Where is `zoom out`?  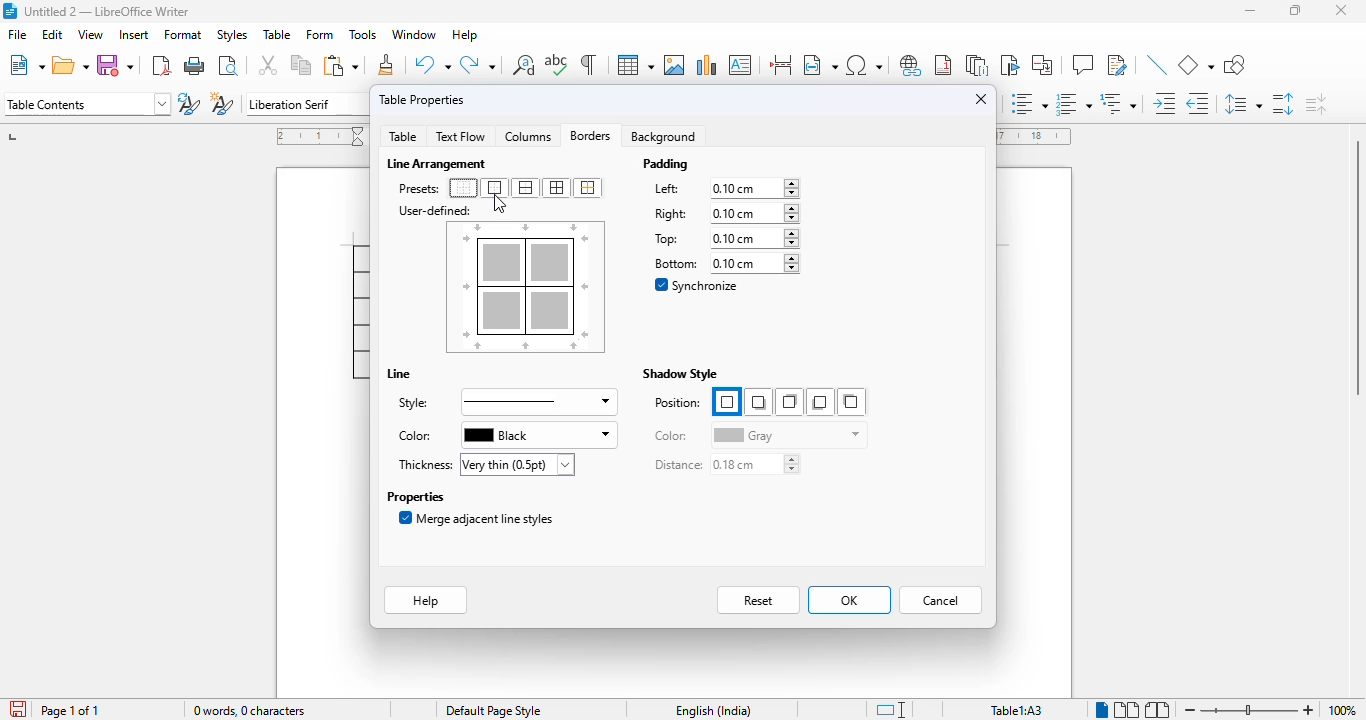 zoom out is located at coordinates (1191, 710).